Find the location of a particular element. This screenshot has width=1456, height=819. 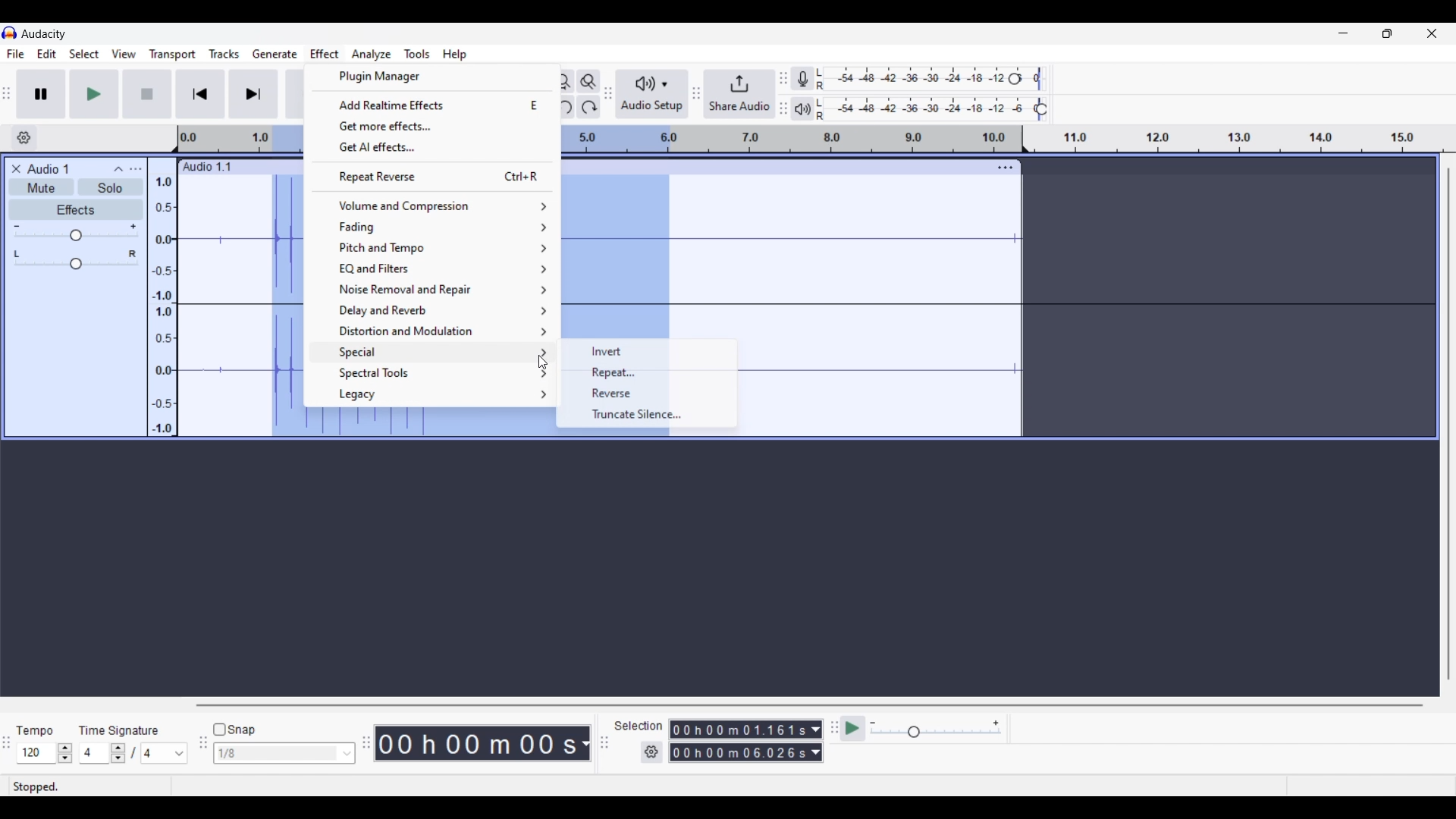

Pause is located at coordinates (42, 94).